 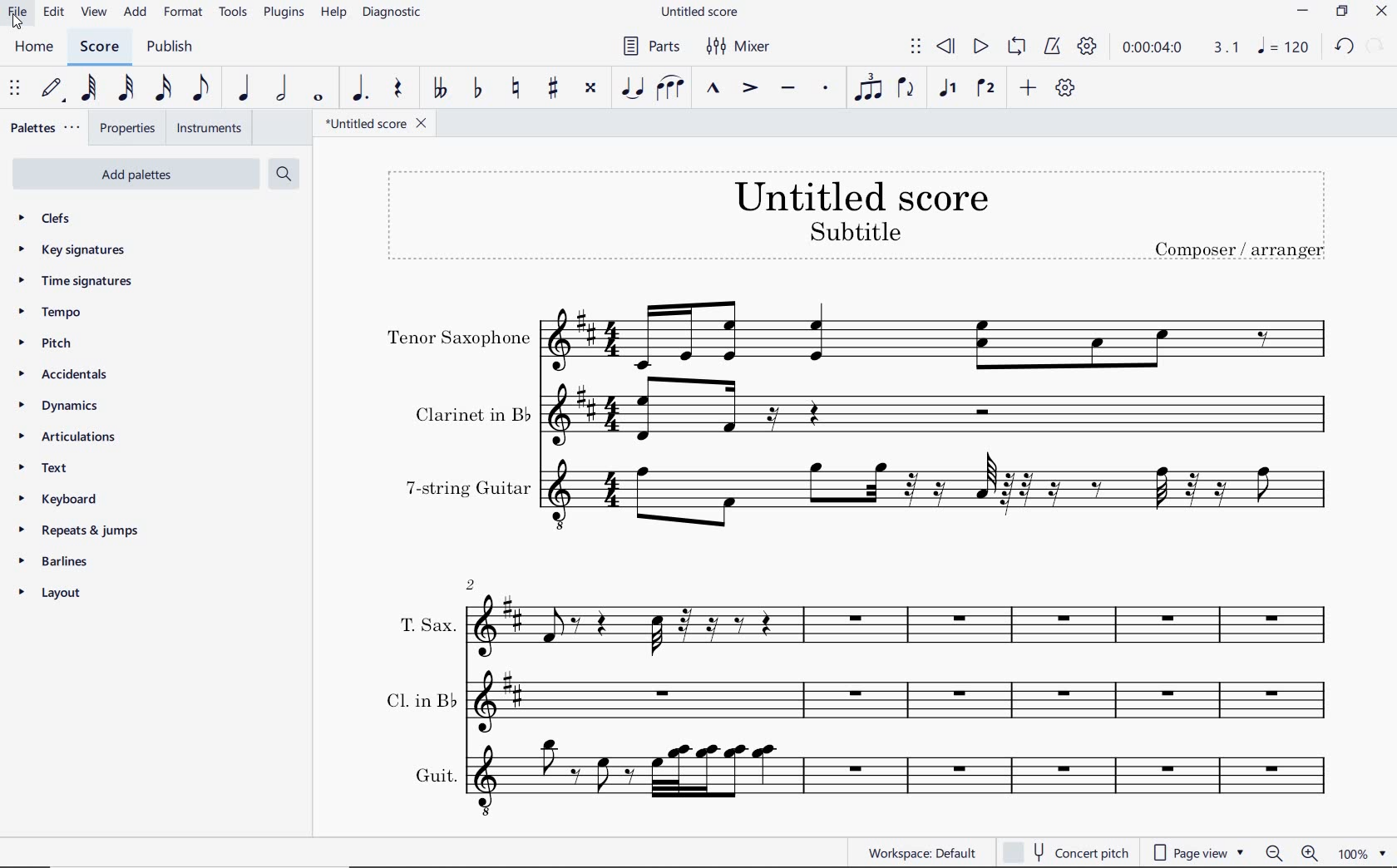 I want to click on PLUGINS, so click(x=286, y=16).